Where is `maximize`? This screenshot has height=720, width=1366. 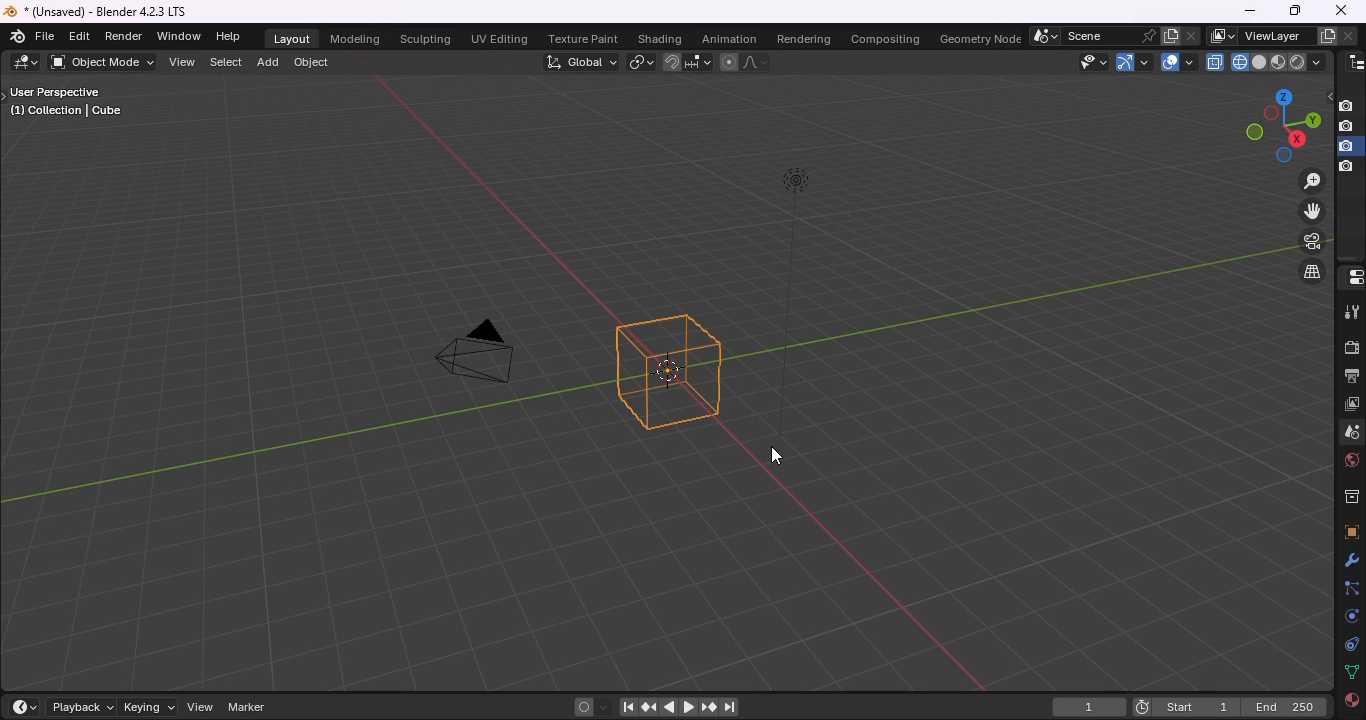
maximize is located at coordinates (1297, 11).